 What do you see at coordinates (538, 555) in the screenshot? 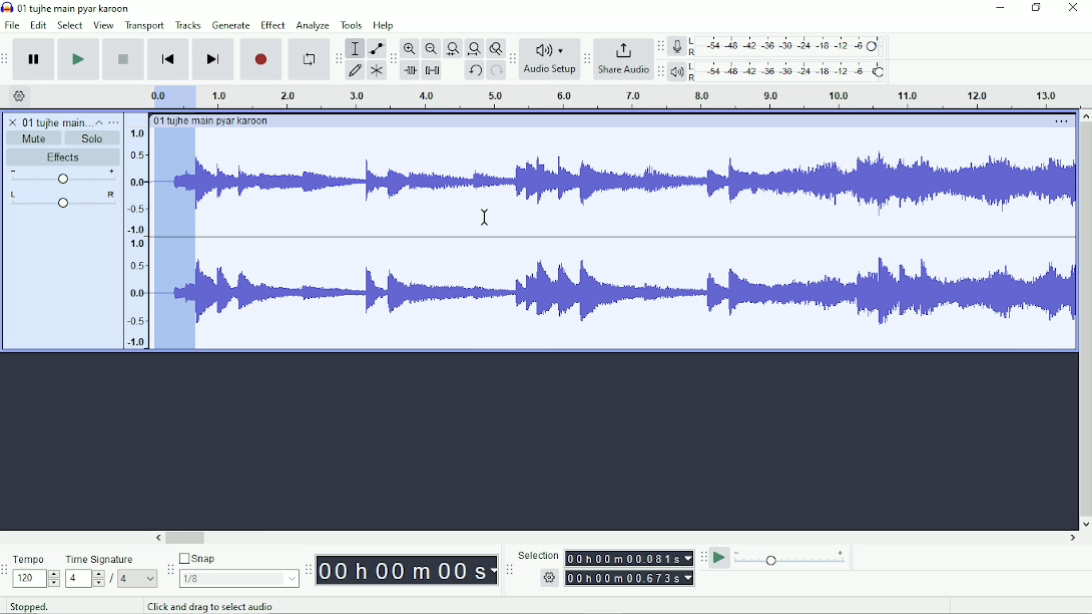
I see `Selection` at bounding box center [538, 555].